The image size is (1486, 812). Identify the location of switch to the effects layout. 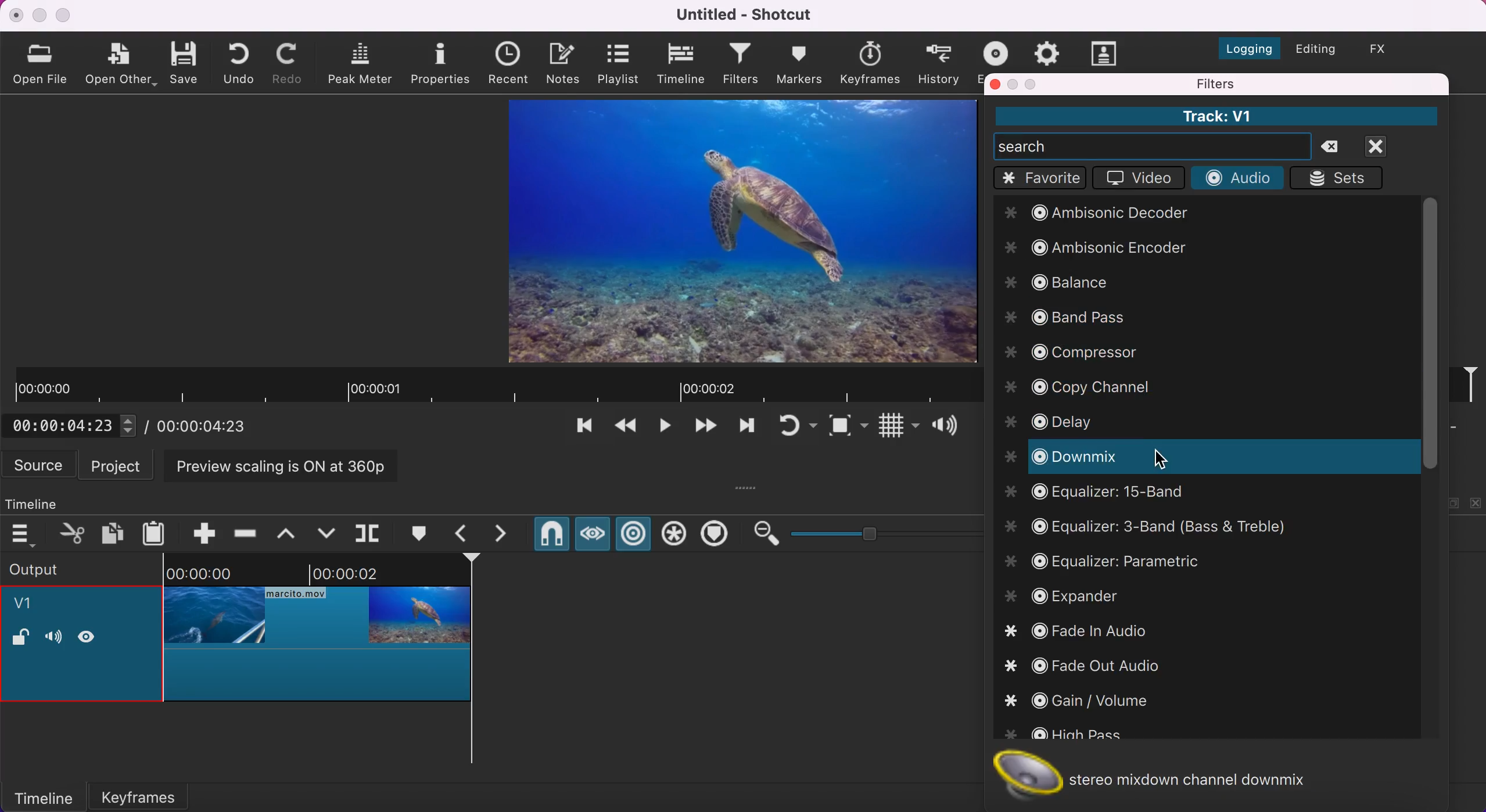
(1387, 49).